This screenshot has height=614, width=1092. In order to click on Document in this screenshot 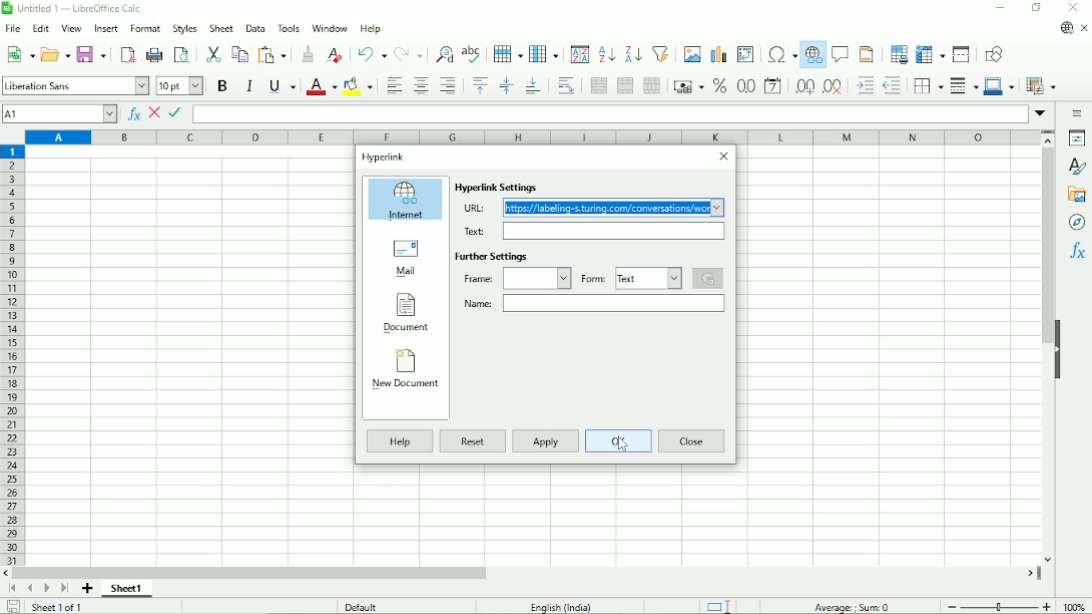, I will do `click(406, 314)`.